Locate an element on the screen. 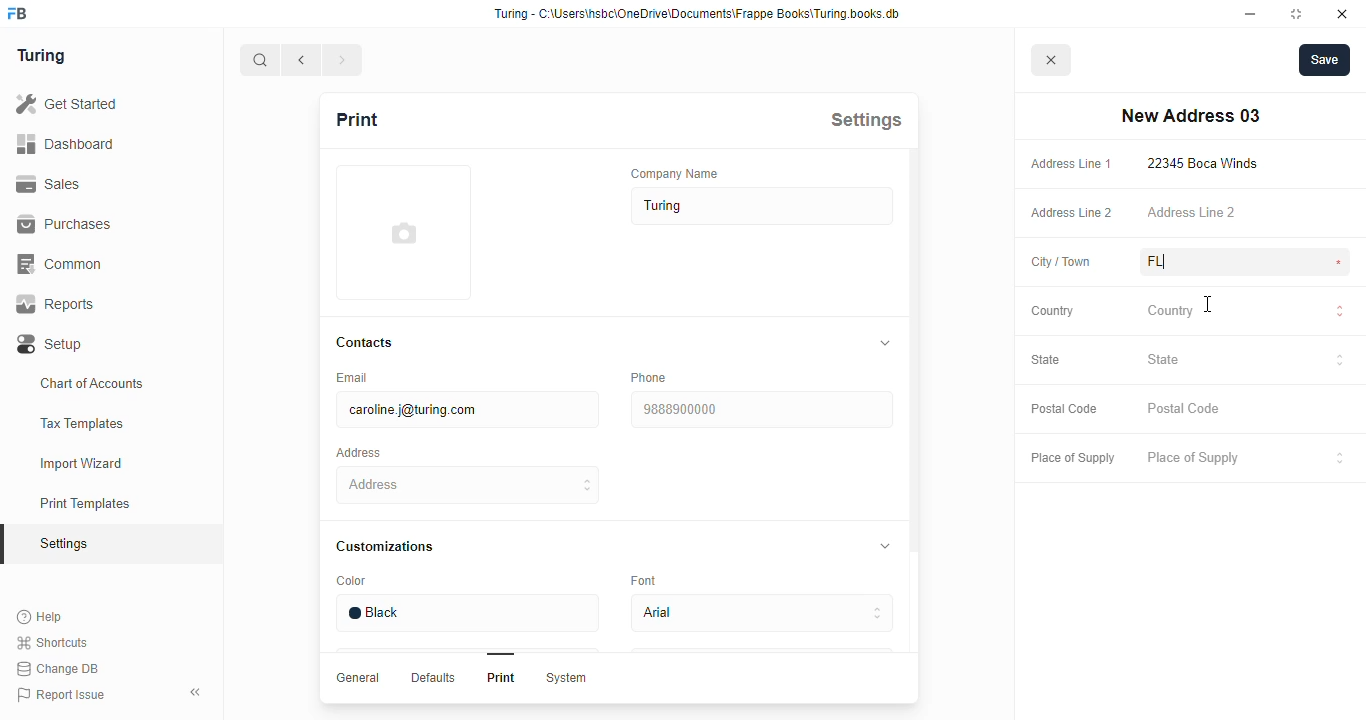 Image resolution: width=1366 pixels, height=720 pixels. tax templates is located at coordinates (81, 423).